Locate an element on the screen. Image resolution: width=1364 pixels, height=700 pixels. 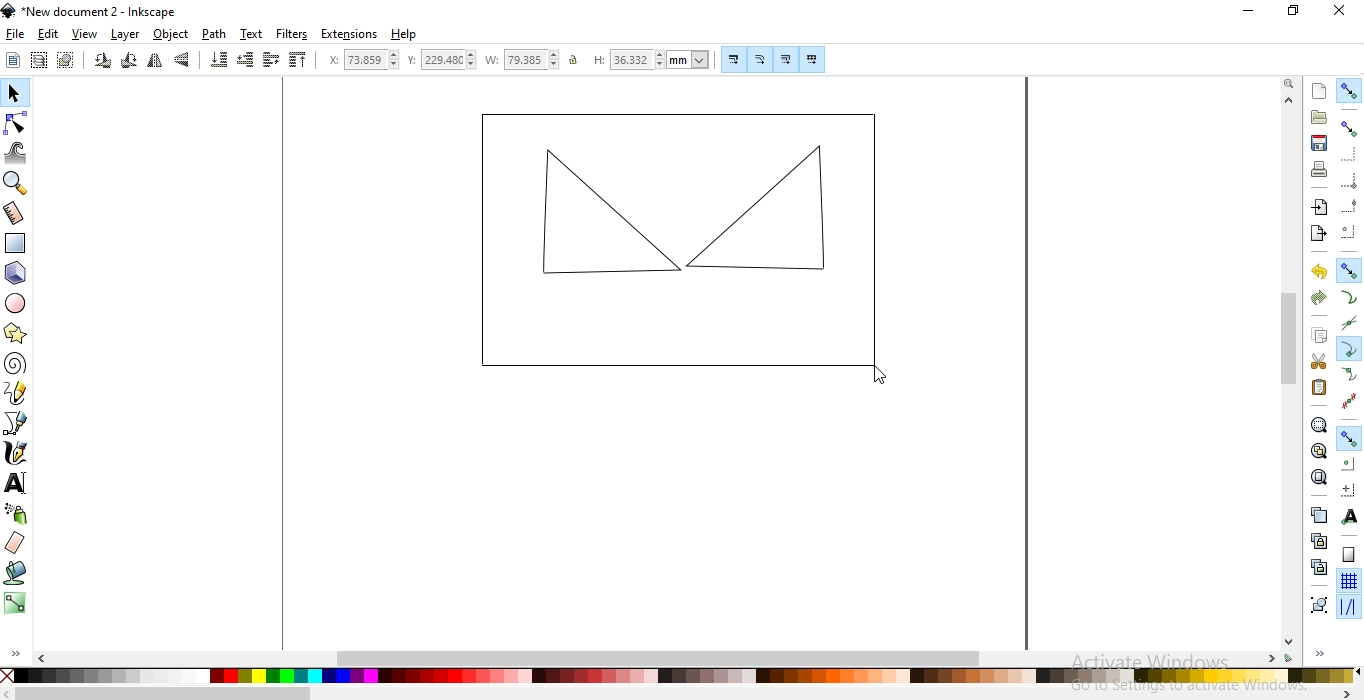
create a clone is located at coordinates (1316, 541).